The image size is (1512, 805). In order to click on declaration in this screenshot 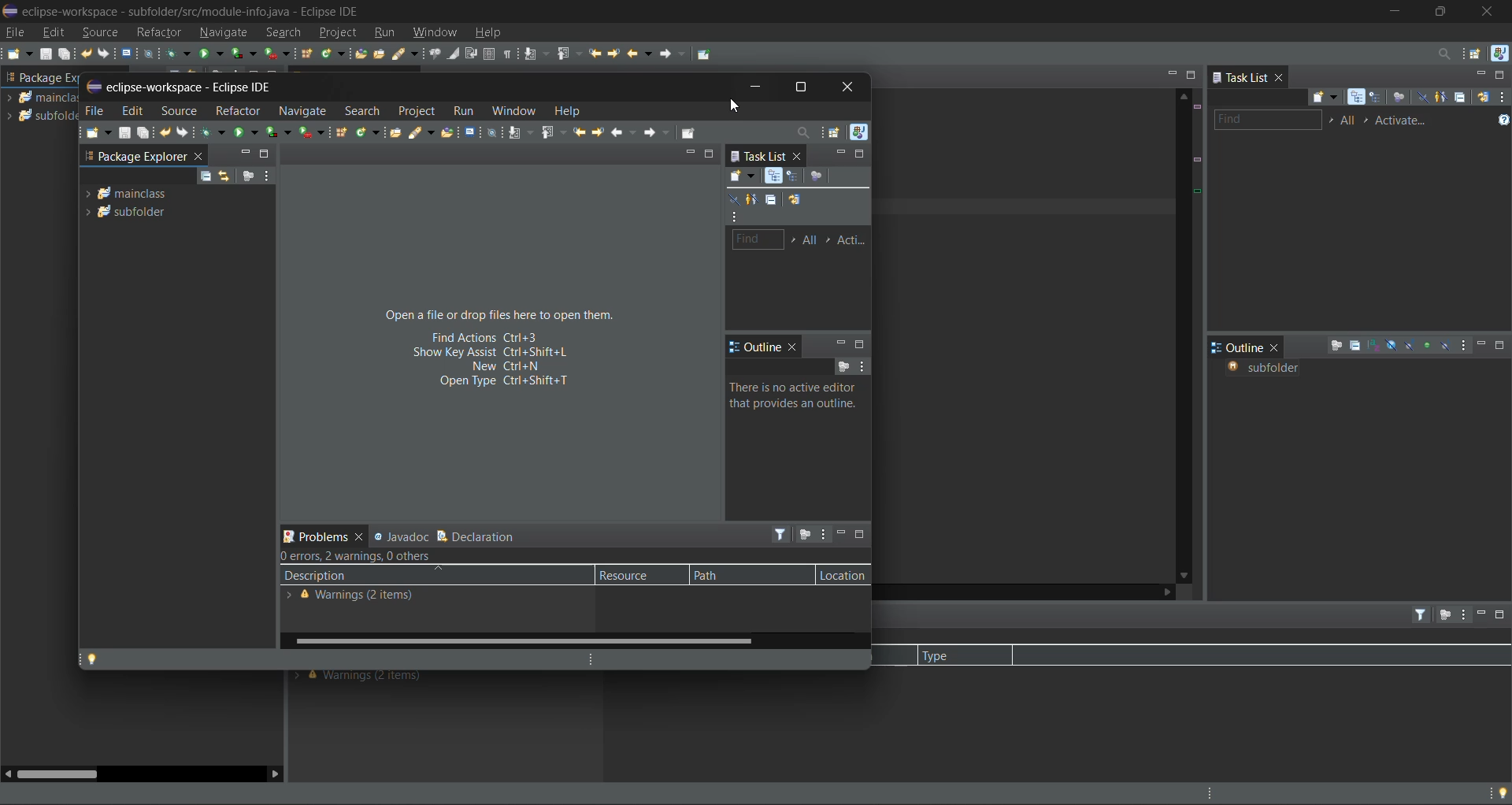, I will do `click(480, 536)`.